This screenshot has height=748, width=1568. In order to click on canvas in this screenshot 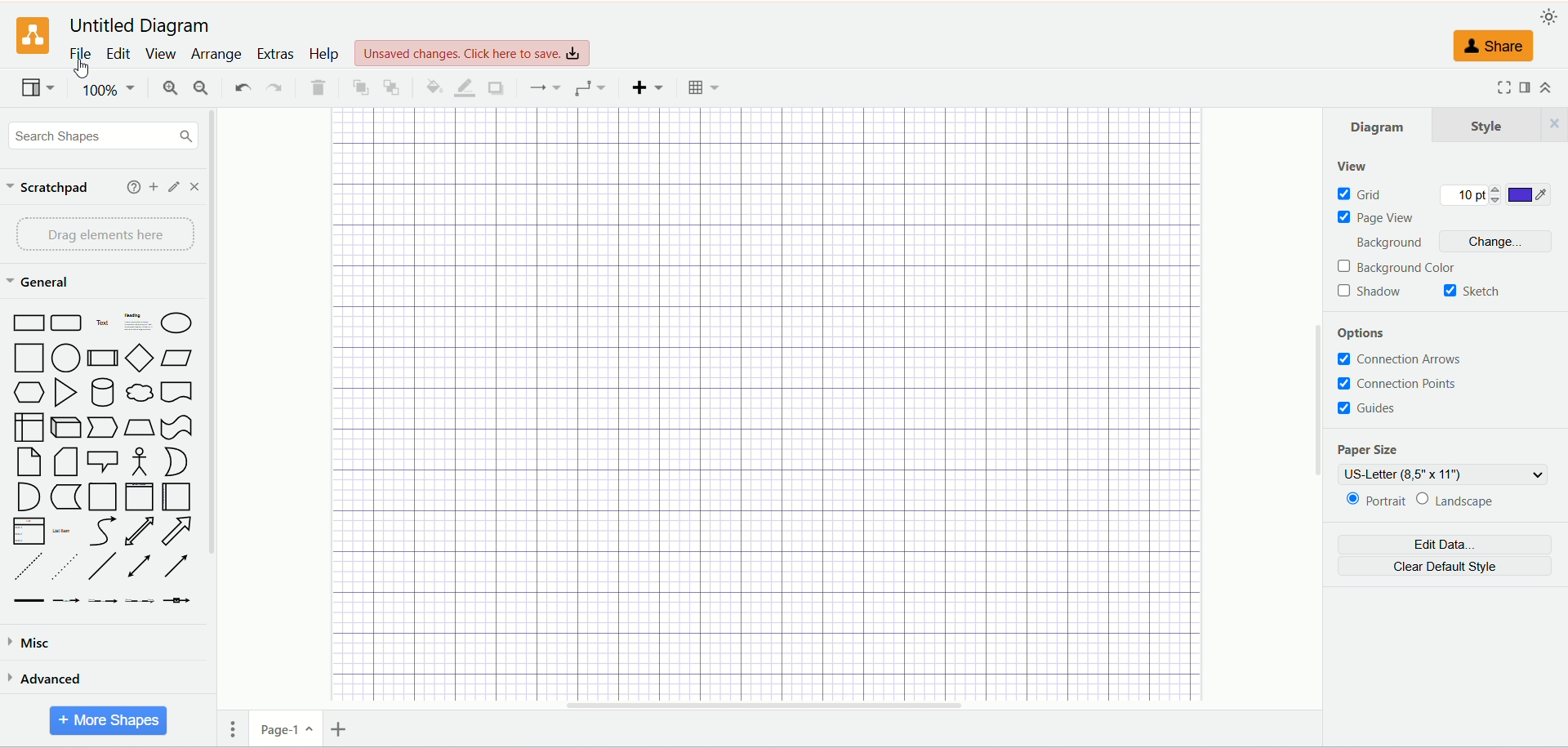, I will do `click(768, 403)`.